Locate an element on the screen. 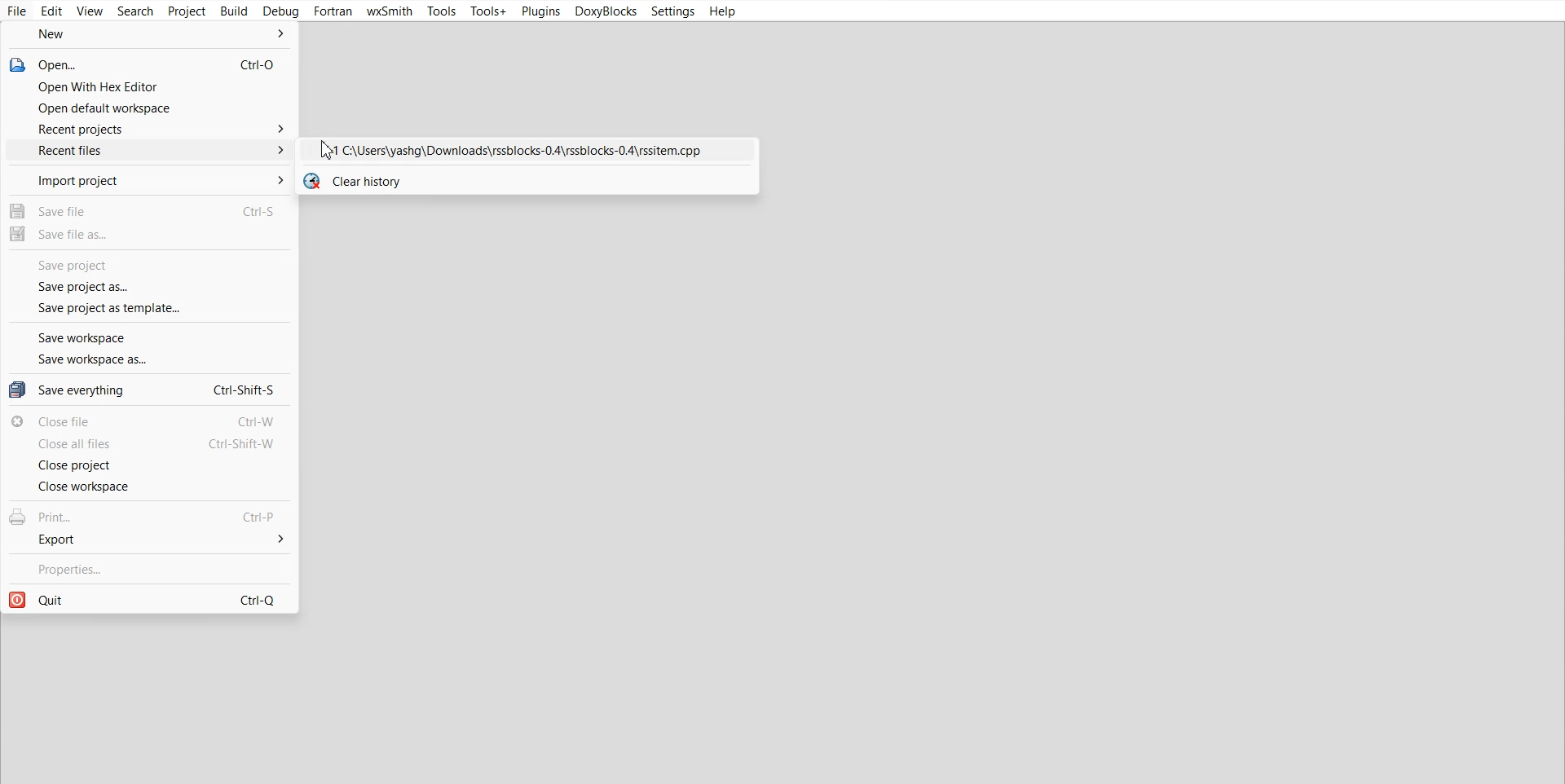  Close file is located at coordinates (150, 421).